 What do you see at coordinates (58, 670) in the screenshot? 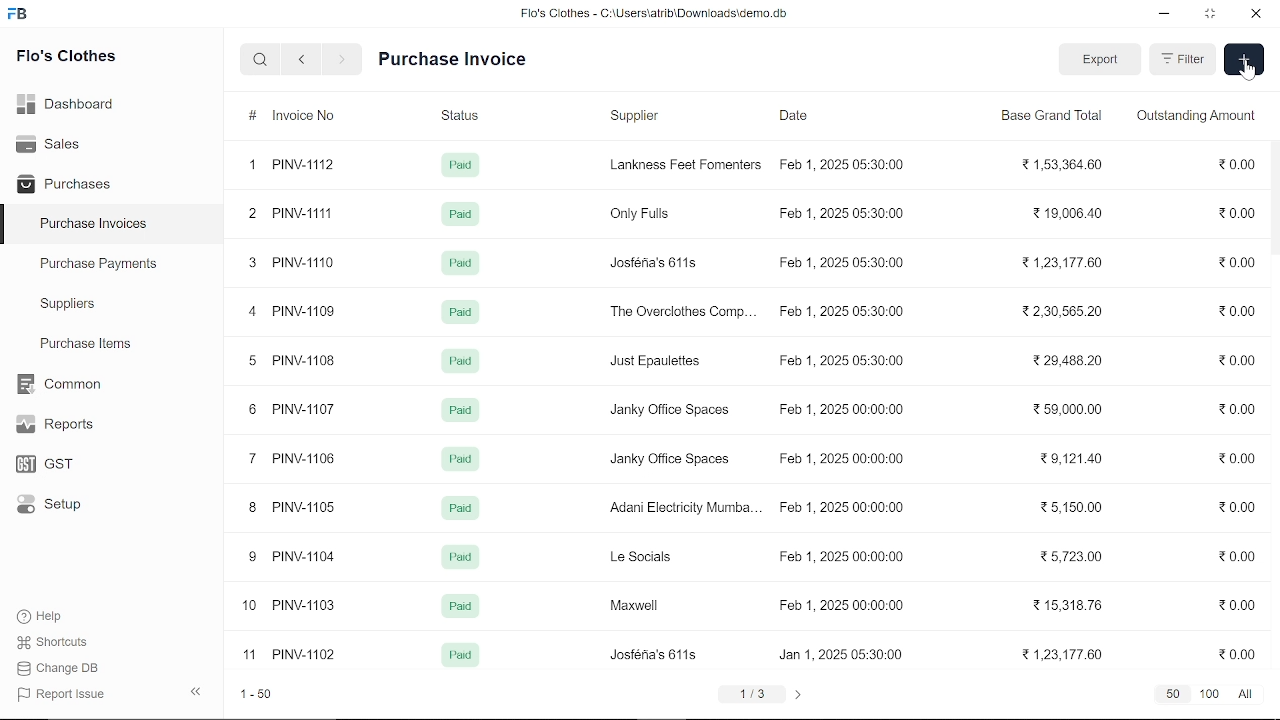
I see `Change DB` at bounding box center [58, 670].